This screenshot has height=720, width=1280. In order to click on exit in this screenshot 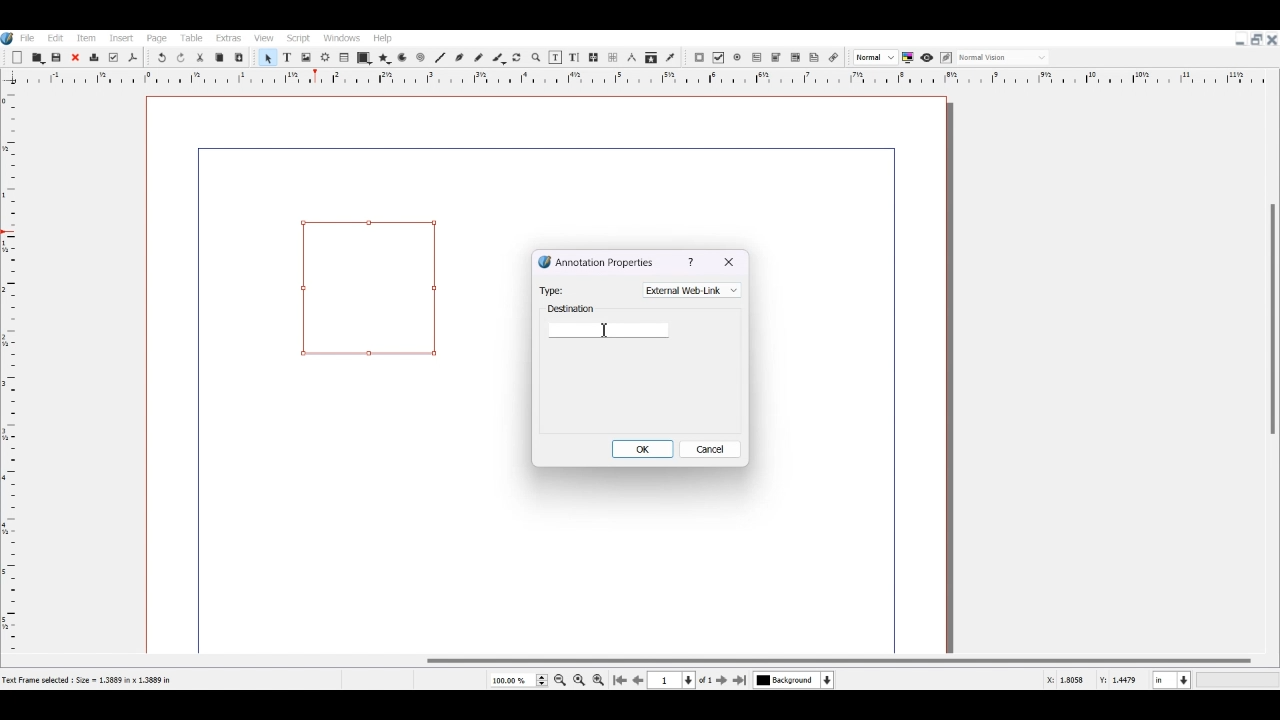, I will do `click(730, 263)`.